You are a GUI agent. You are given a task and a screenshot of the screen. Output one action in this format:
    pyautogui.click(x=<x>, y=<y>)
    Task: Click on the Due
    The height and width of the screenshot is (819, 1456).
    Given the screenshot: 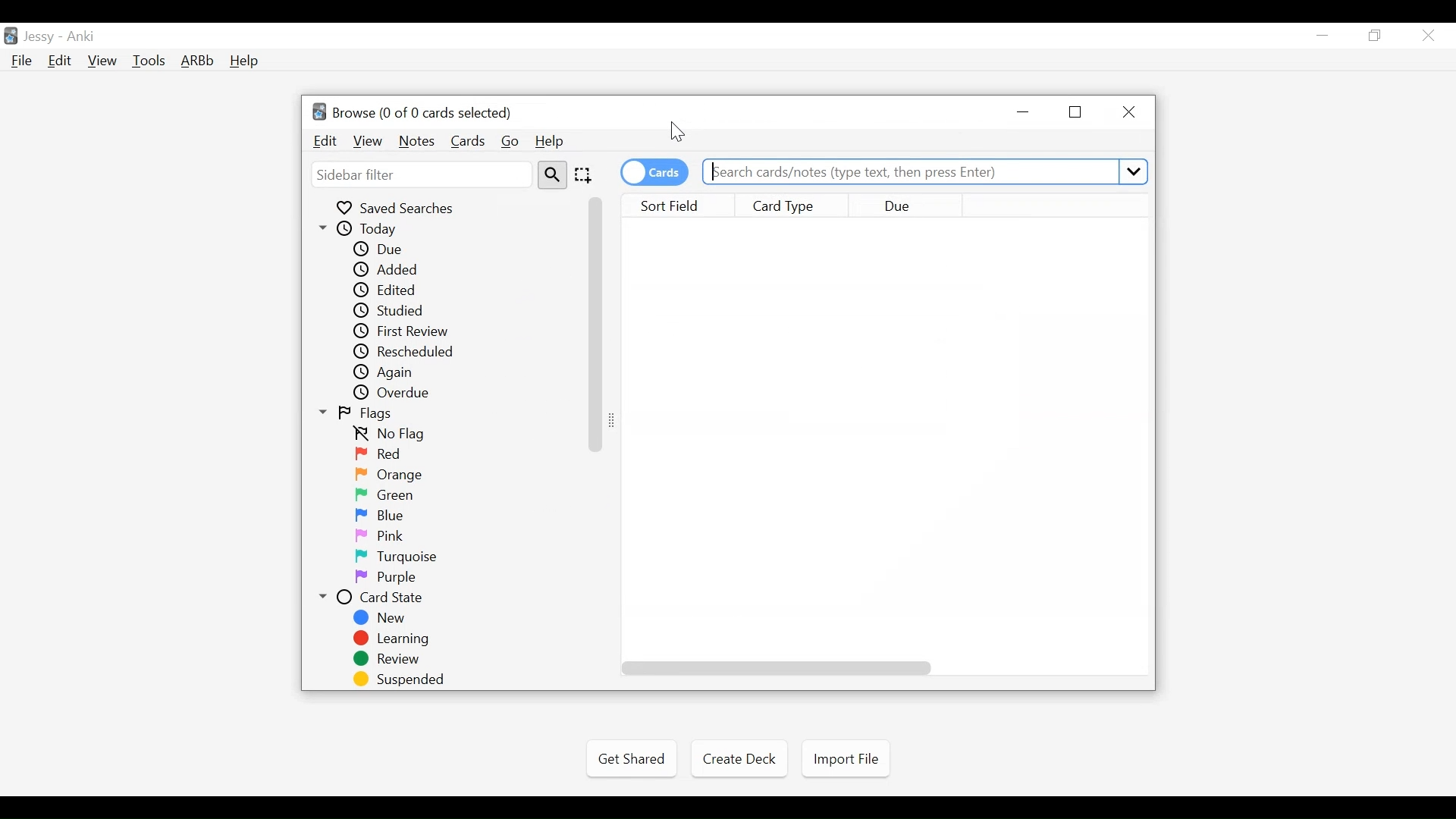 What is the action you would take?
    pyautogui.click(x=909, y=206)
    